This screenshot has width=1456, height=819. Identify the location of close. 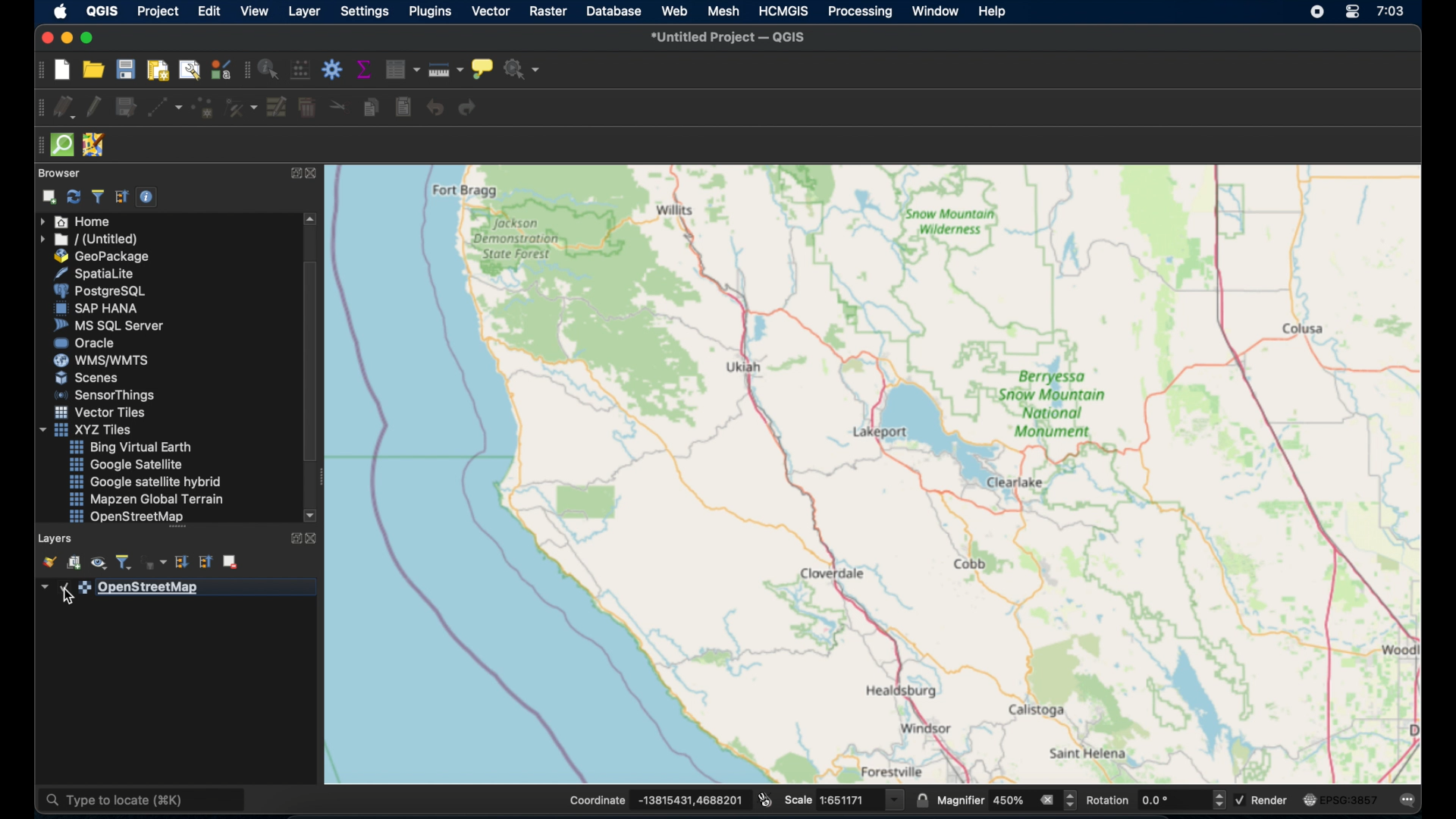
(43, 39).